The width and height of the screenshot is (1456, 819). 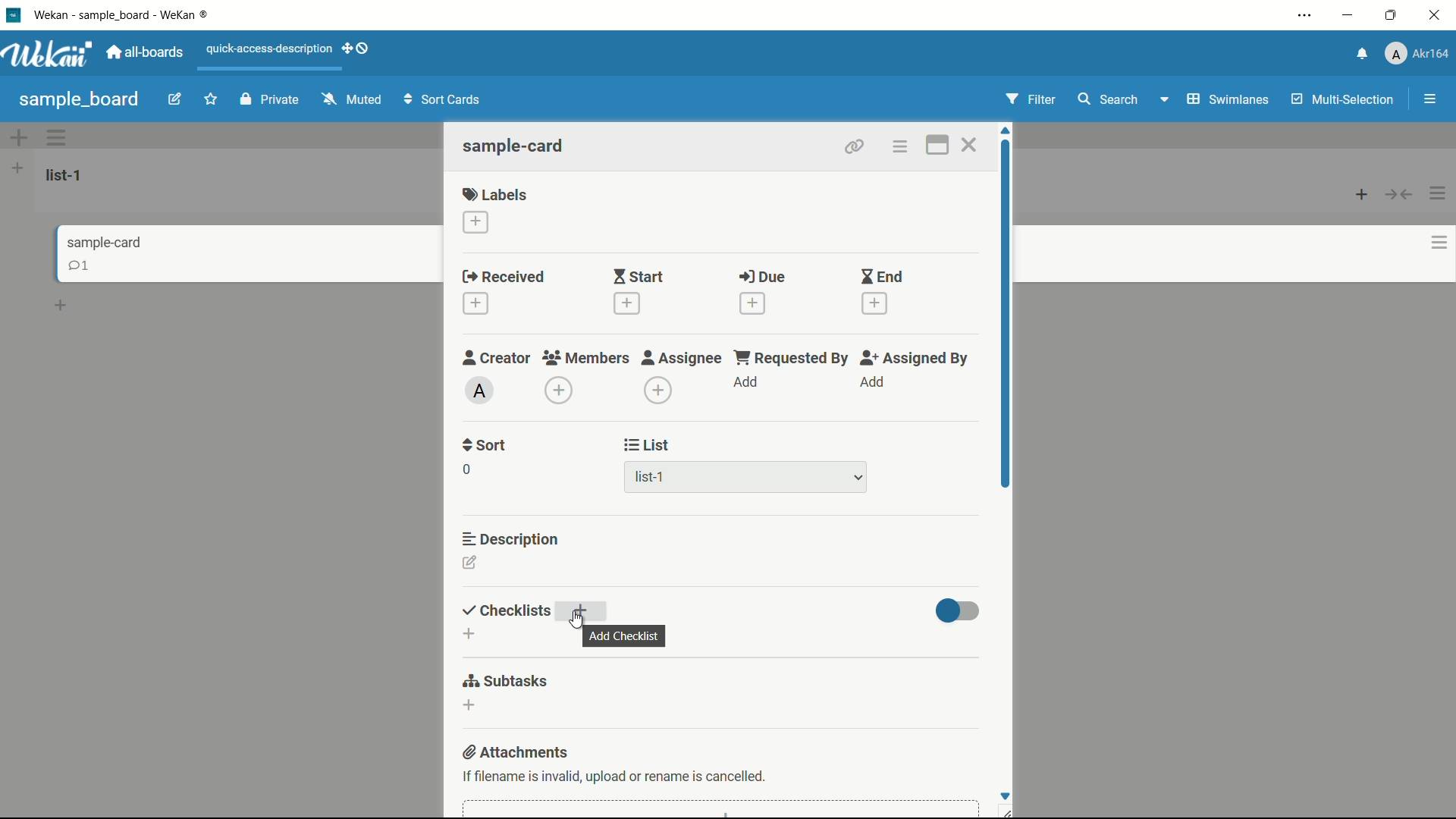 What do you see at coordinates (1005, 795) in the screenshot?
I see `Scroll down` at bounding box center [1005, 795].